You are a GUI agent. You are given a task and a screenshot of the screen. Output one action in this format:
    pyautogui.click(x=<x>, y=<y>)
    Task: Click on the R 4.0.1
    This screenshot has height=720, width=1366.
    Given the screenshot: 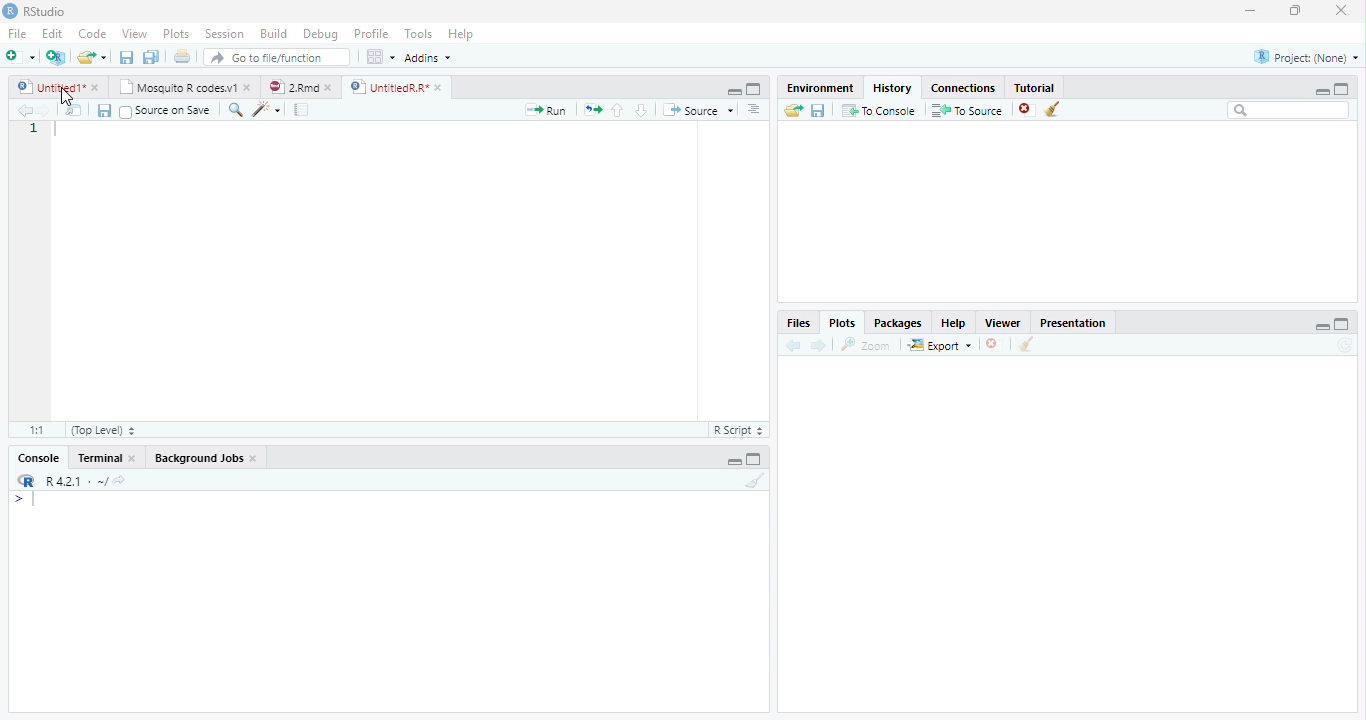 What is the action you would take?
    pyautogui.click(x=78, y=479)
    